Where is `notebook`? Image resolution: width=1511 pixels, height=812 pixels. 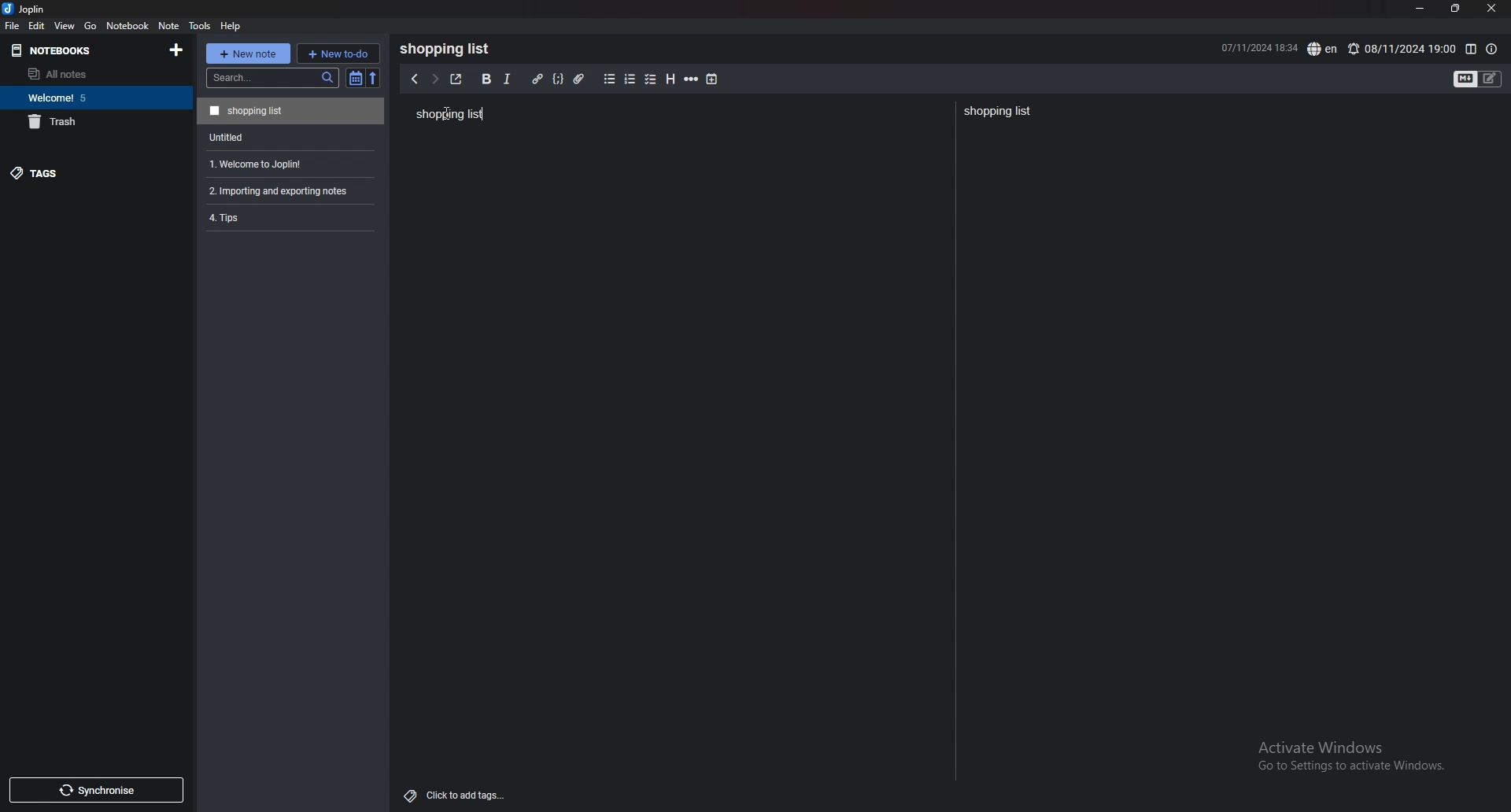 notebook is located at coordinates (128, 25).